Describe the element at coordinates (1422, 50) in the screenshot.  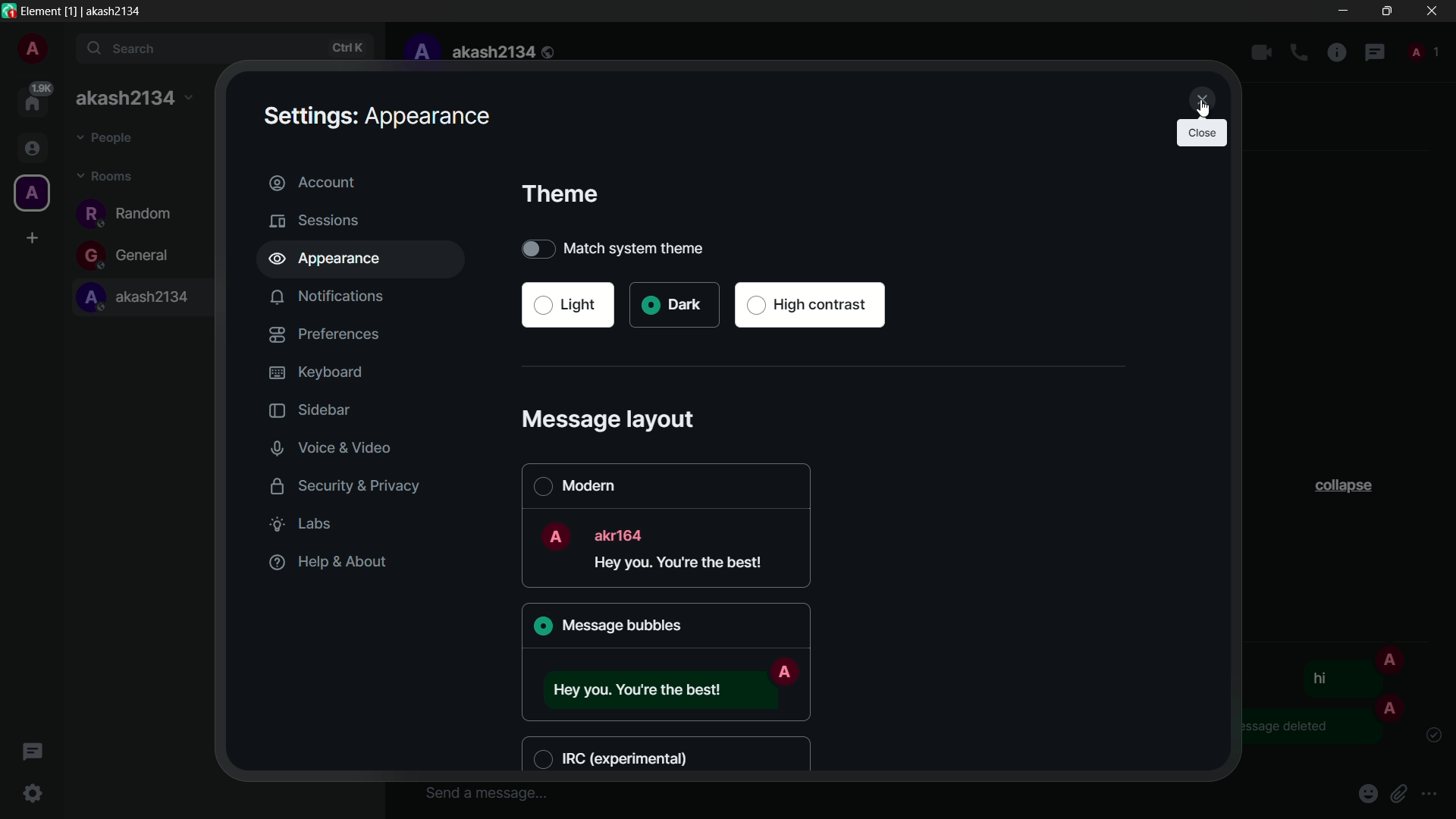
I see `people` at that location.